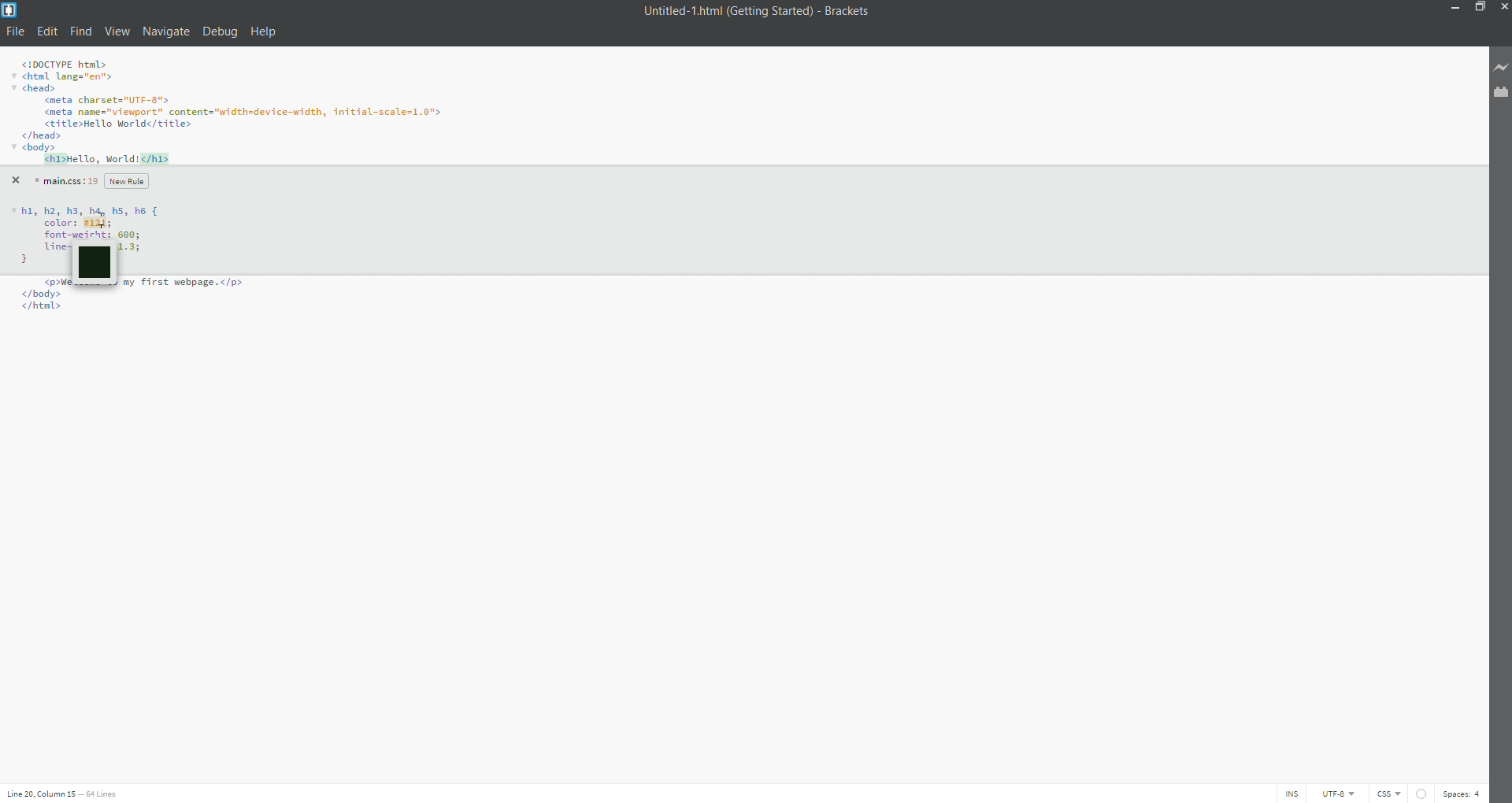 Image resolution: width=1512 pixels, height=803 pixels. I want to click on extension manager, so click(1497, 92).